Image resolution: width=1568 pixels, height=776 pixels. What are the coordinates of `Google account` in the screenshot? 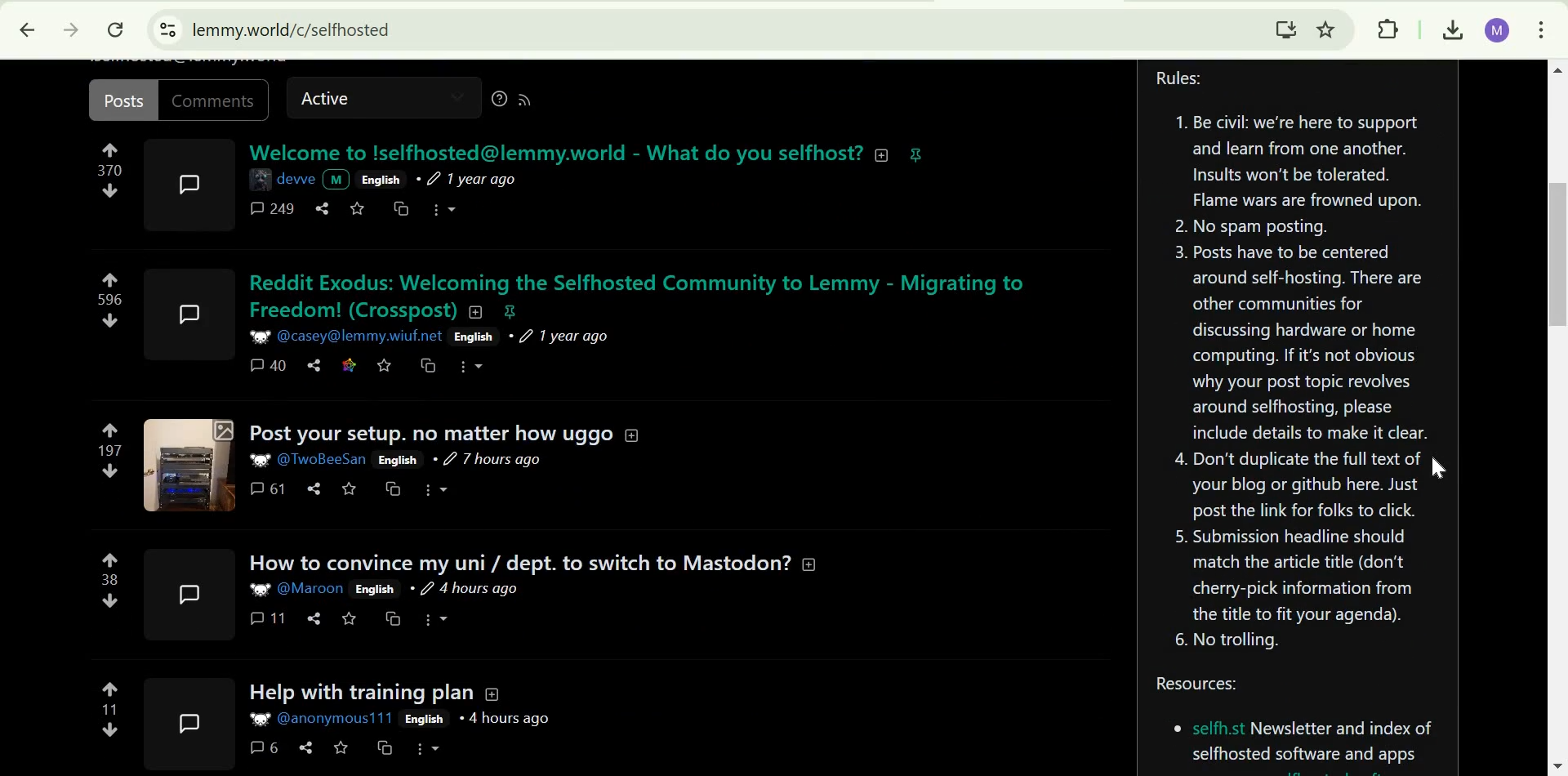 It's located at (1499, 31).